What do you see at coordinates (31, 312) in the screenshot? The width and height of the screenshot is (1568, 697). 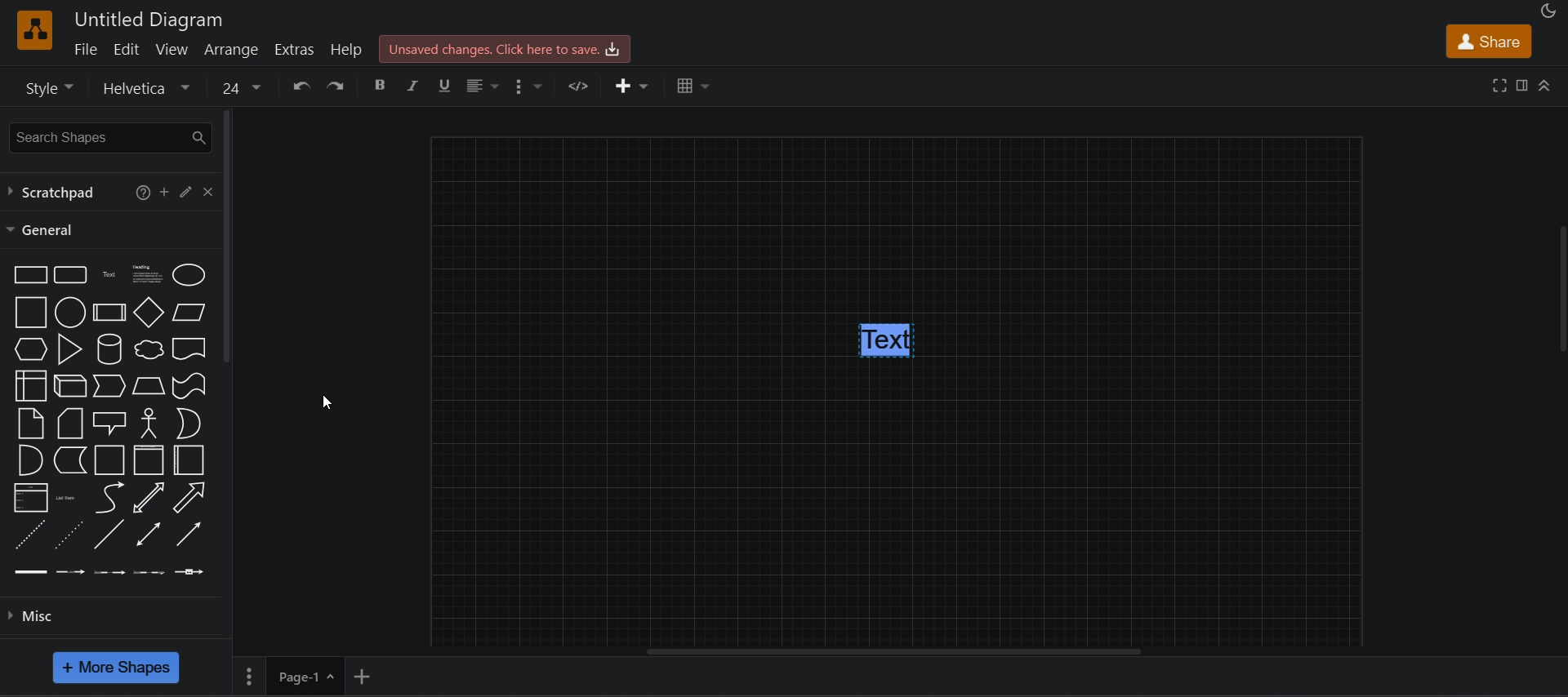 I see `Square` at bounding box center [31, 312].